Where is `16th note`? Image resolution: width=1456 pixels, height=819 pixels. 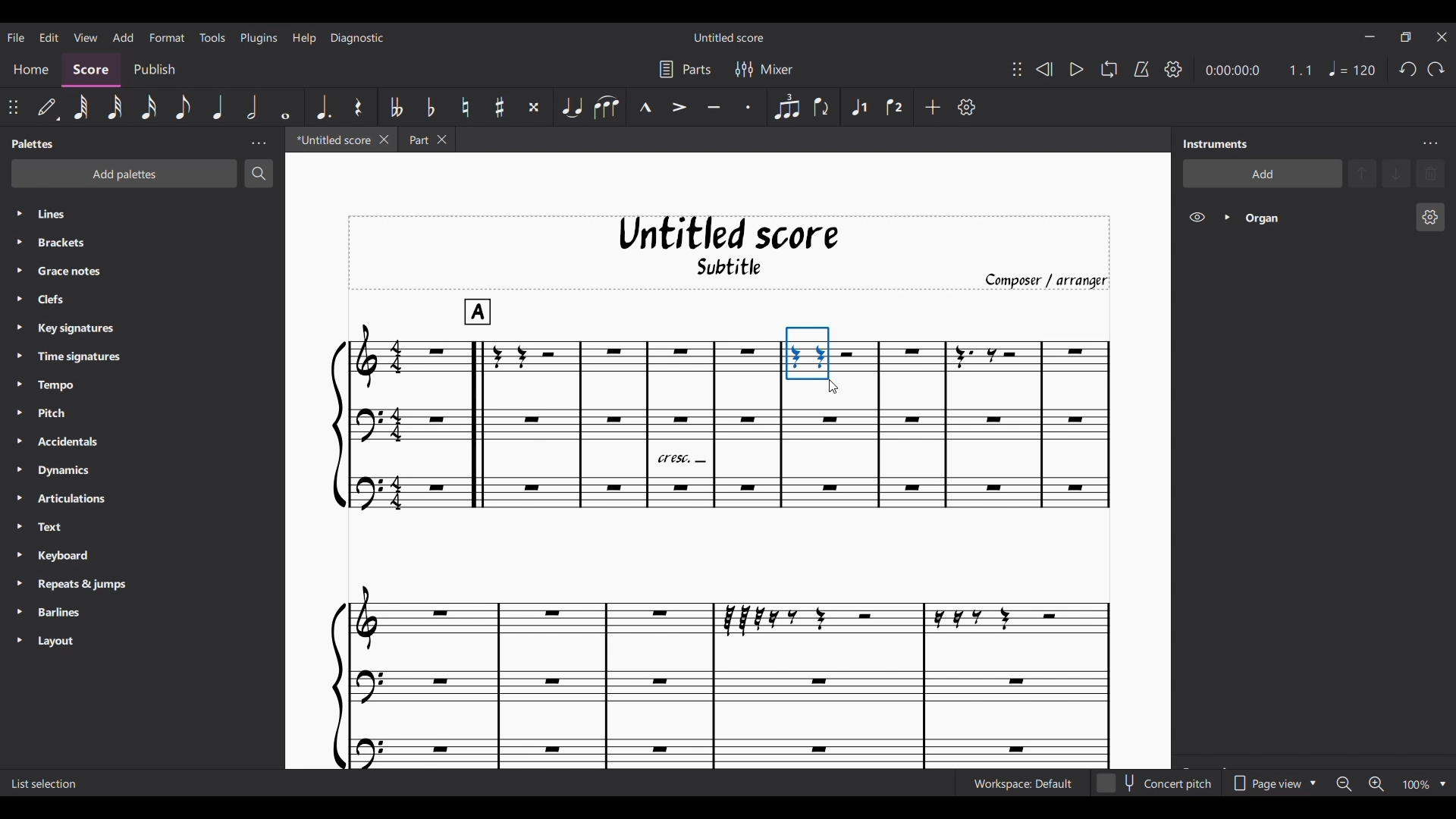
16th note is located at coordinates (149, 108).